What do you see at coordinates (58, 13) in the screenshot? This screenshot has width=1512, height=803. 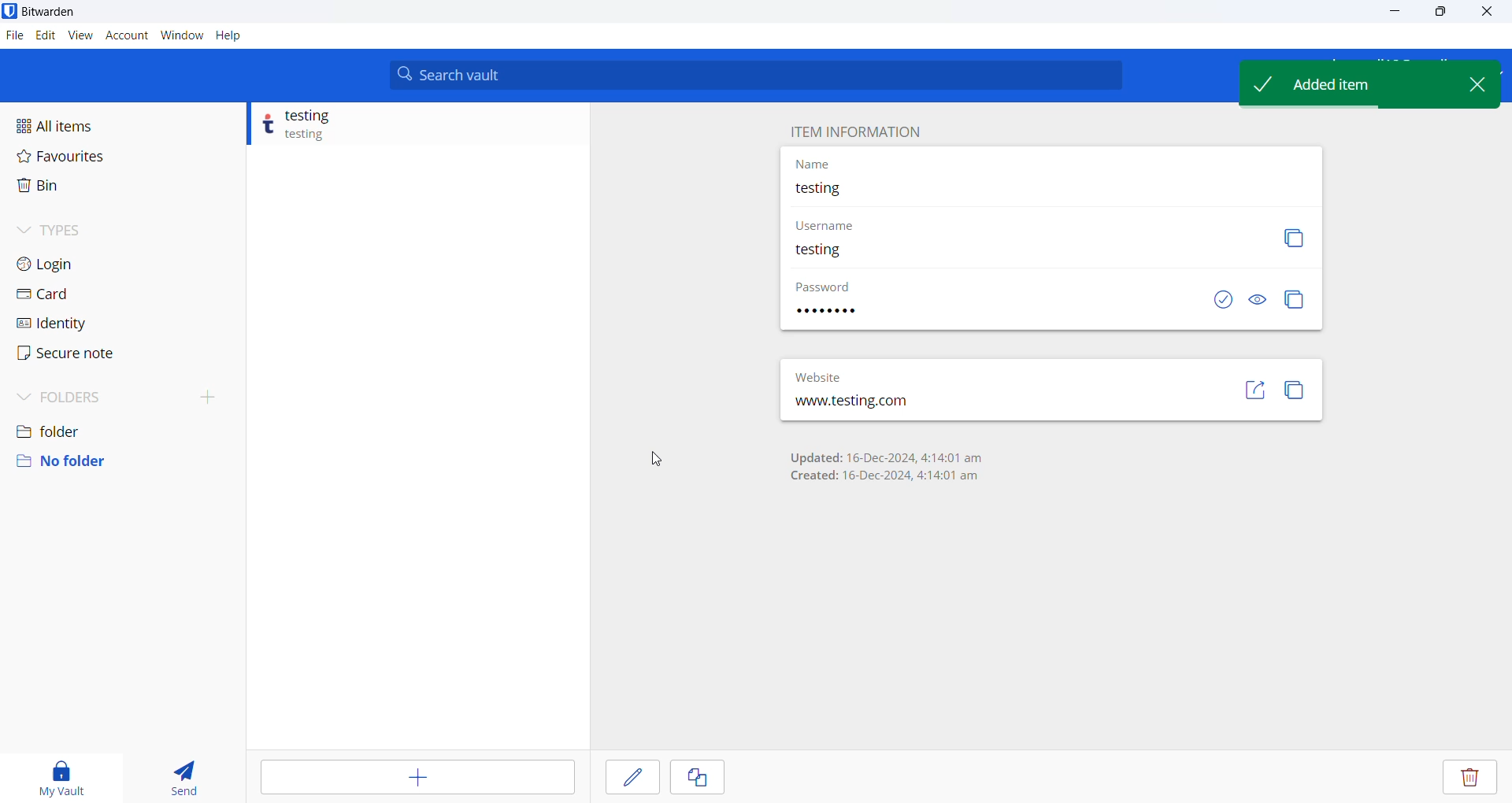 I see `application name and logo` at bounding box center [58, 13].